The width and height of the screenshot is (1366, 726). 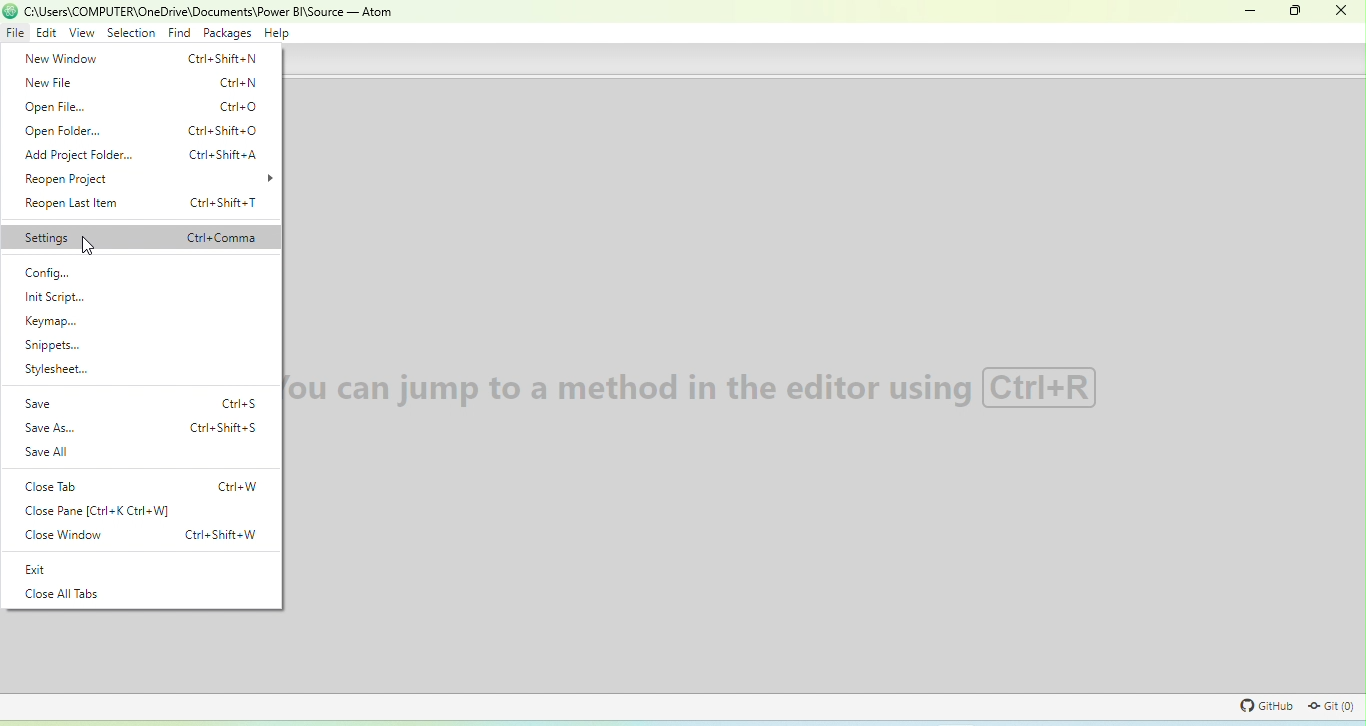 What do you see at coordinates (82, 33) in the screenshot?
I see `view menu` at bounding box center [82, 33].